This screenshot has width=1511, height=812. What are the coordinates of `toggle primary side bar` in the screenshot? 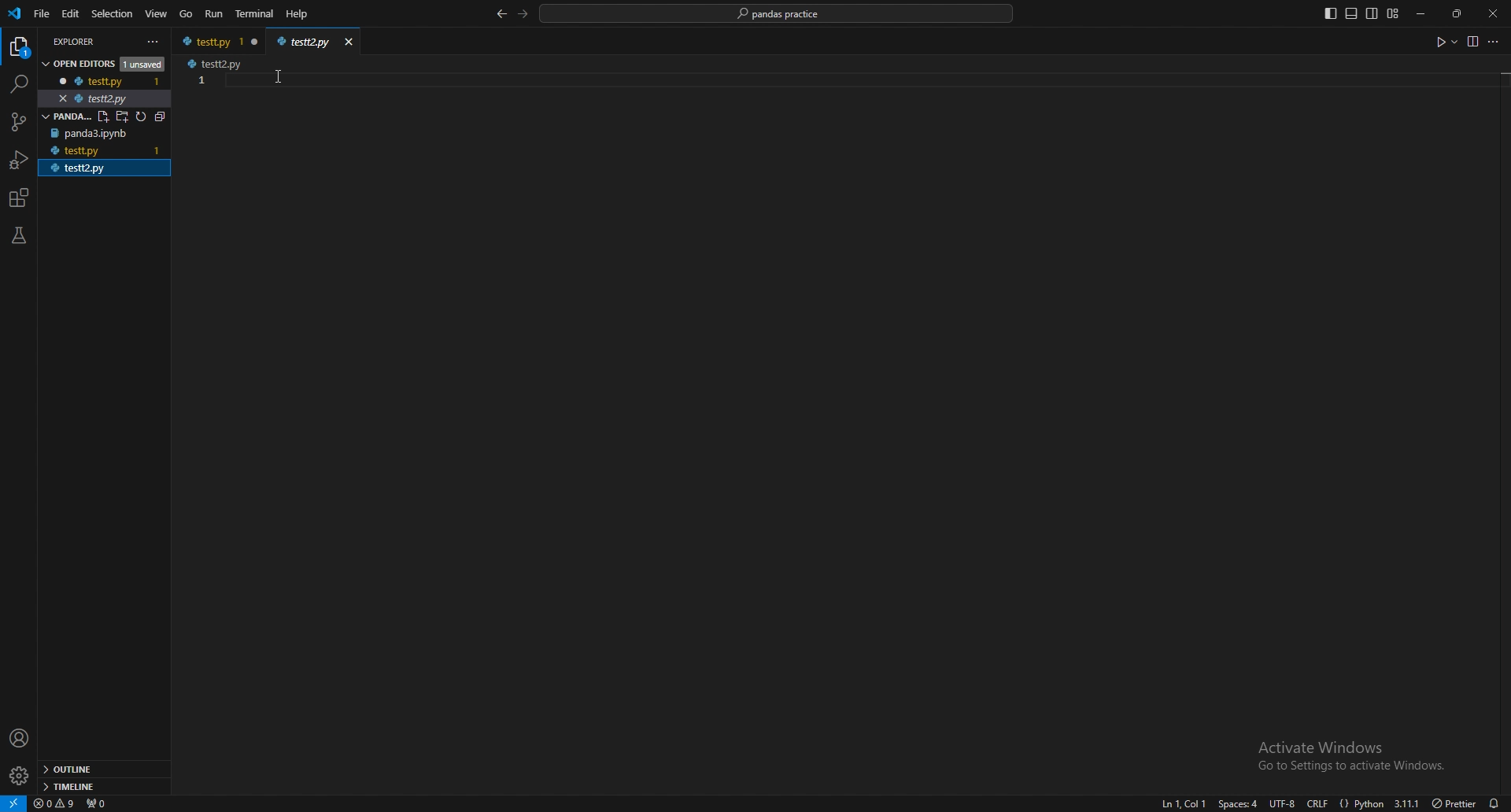 It's located at (1332, 13).